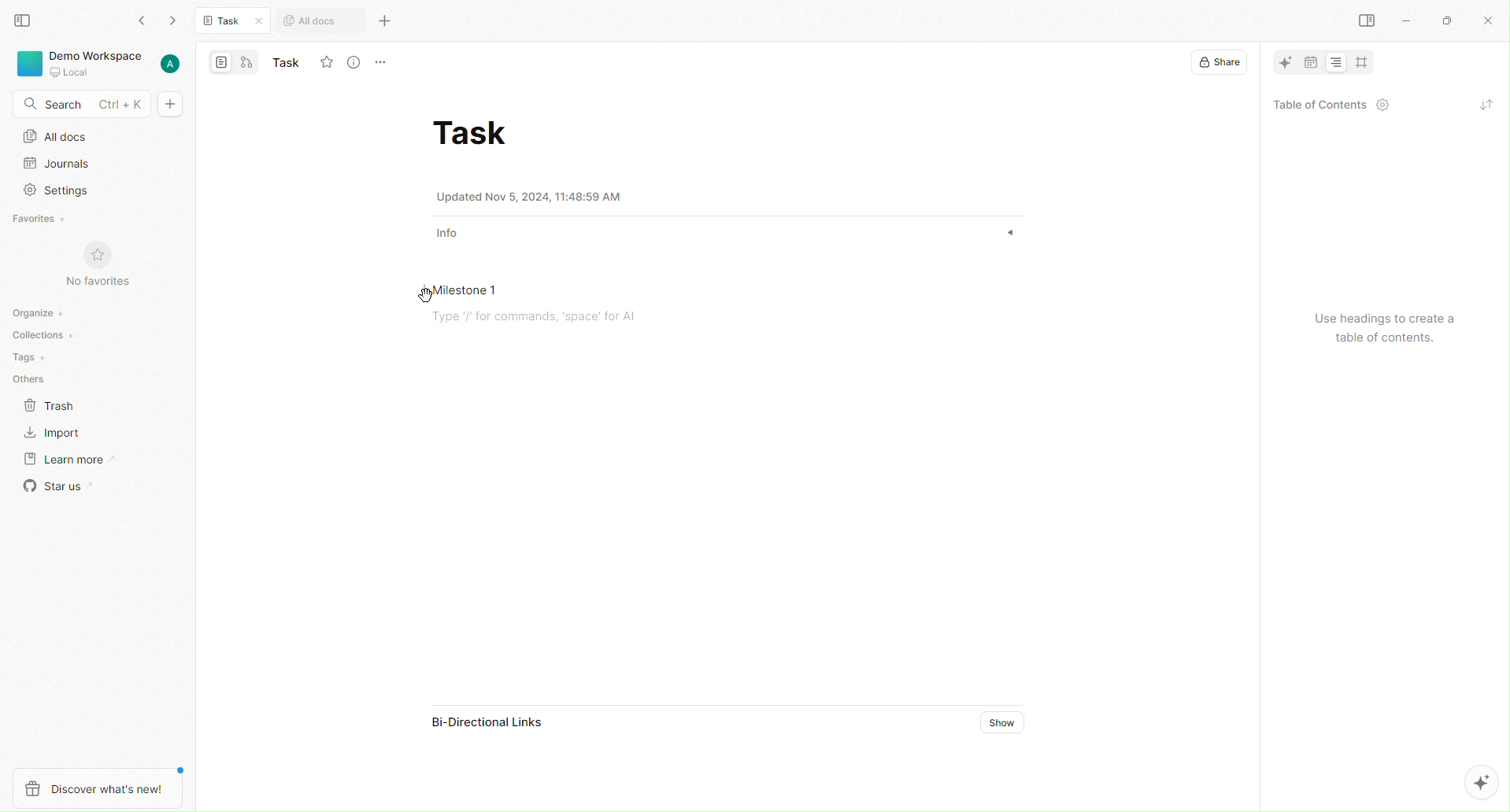 The height and width of the screenshot is (812, 1510). Describe the element at coordinates (387, 21) in the screenshot. I see `More` at that location.